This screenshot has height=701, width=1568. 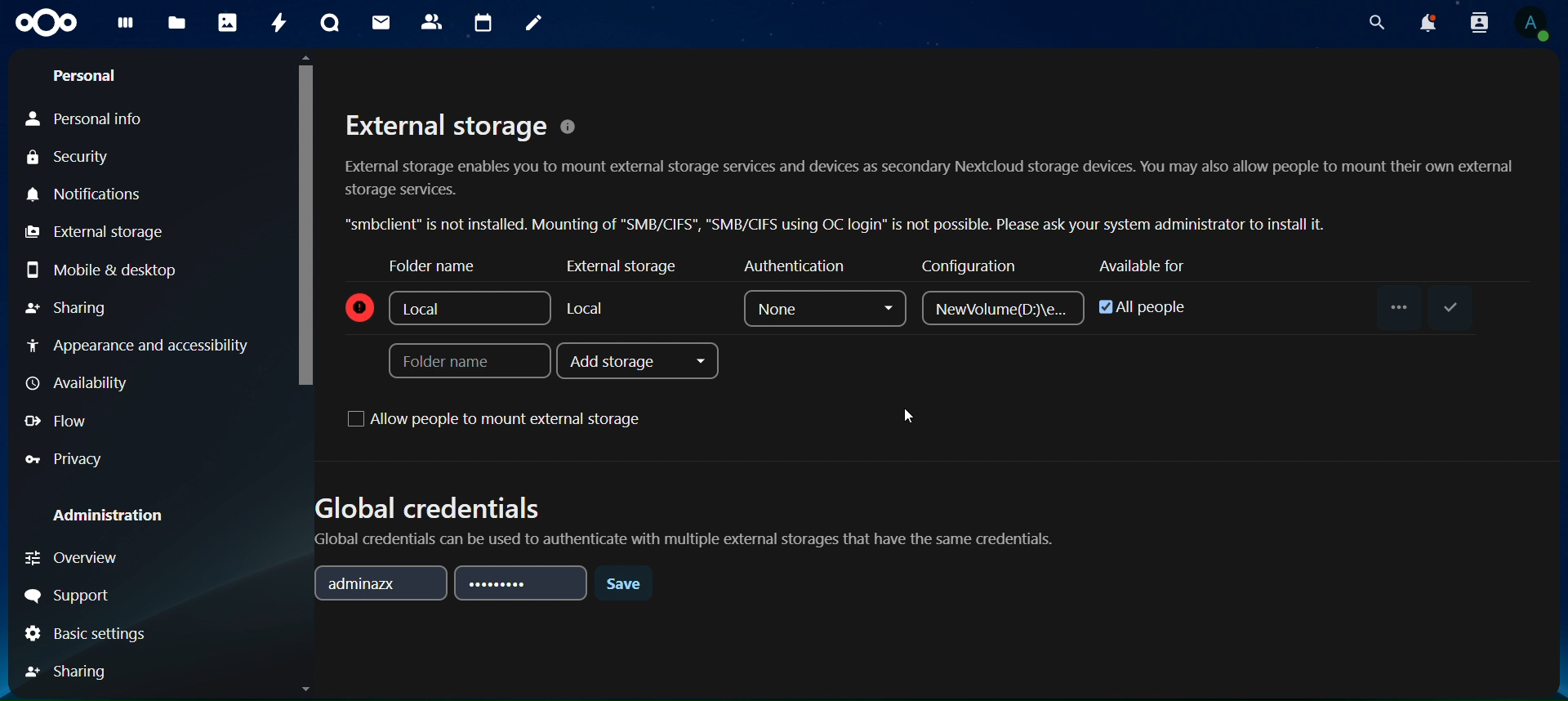 I want to click on sharing, so click(x=72, y=671).